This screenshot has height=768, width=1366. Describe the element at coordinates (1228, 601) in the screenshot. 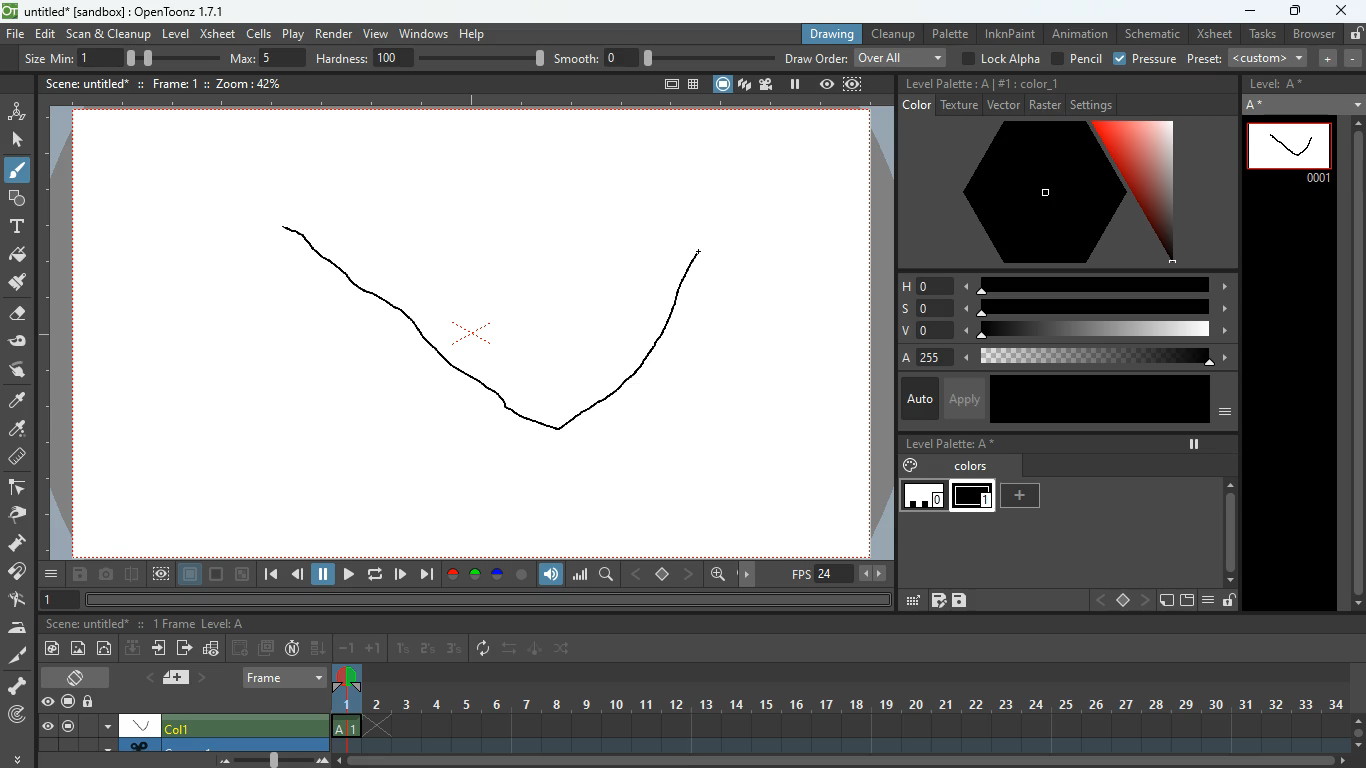

I see `unlock` at that location.